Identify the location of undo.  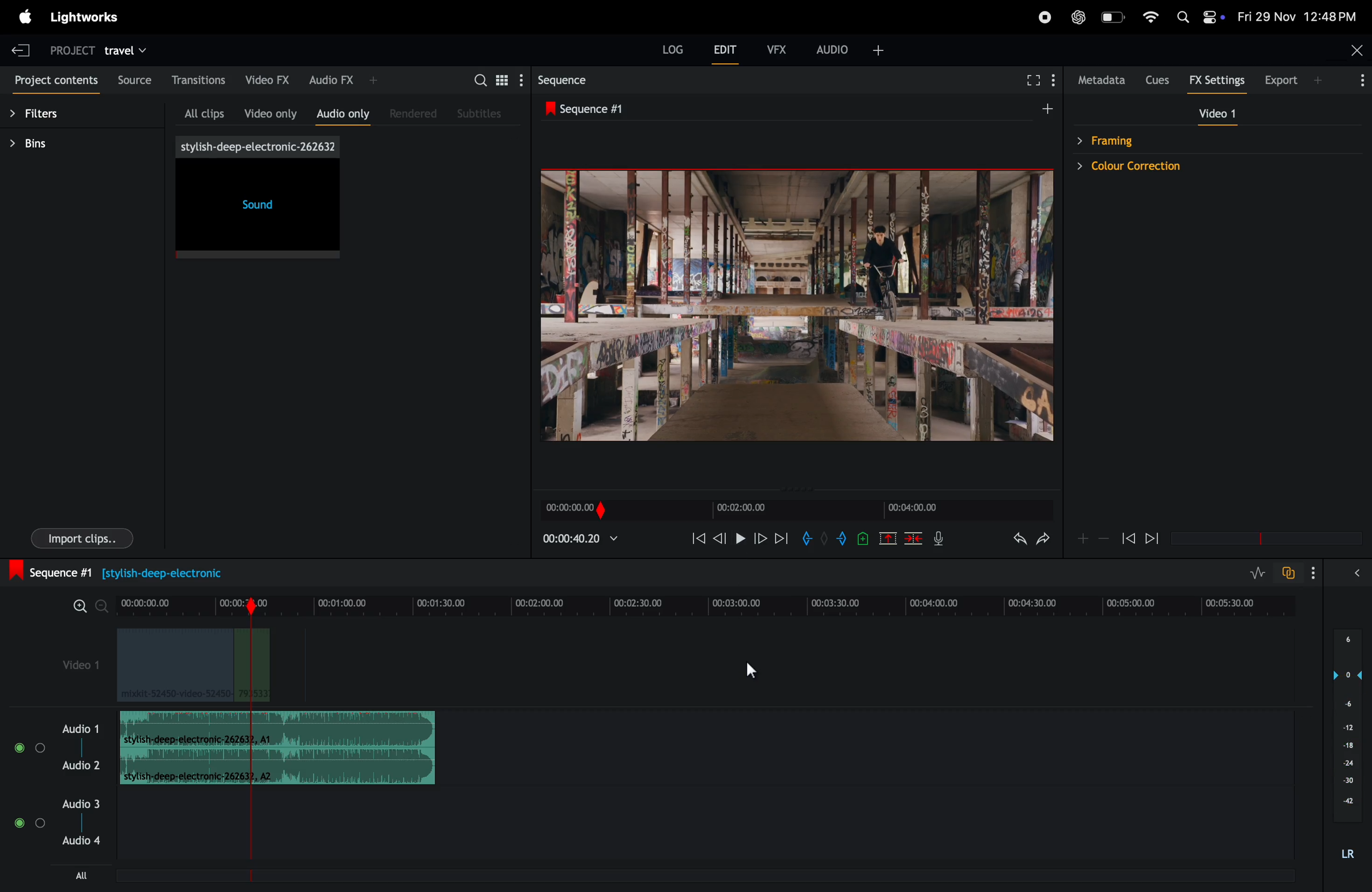
(1011, 541).